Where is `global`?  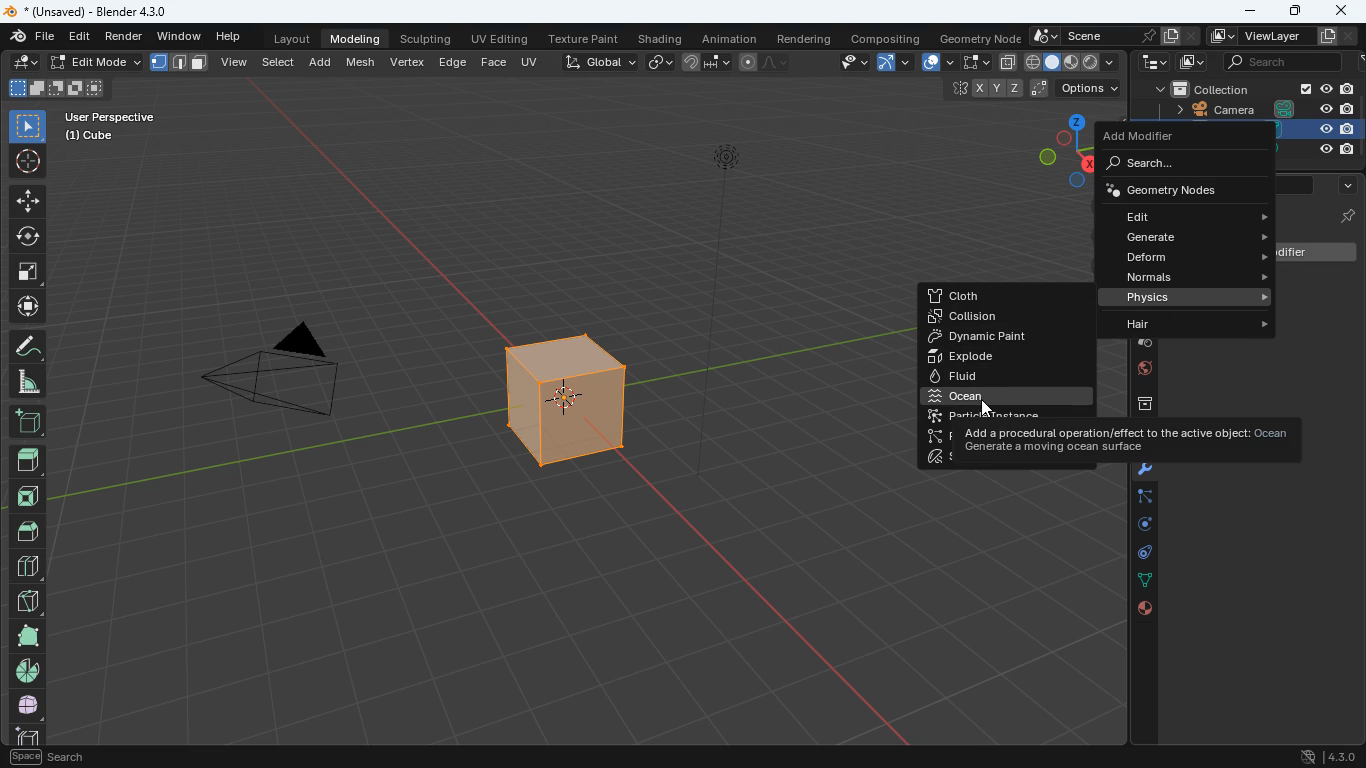 global is located at coordinates (599, 61).